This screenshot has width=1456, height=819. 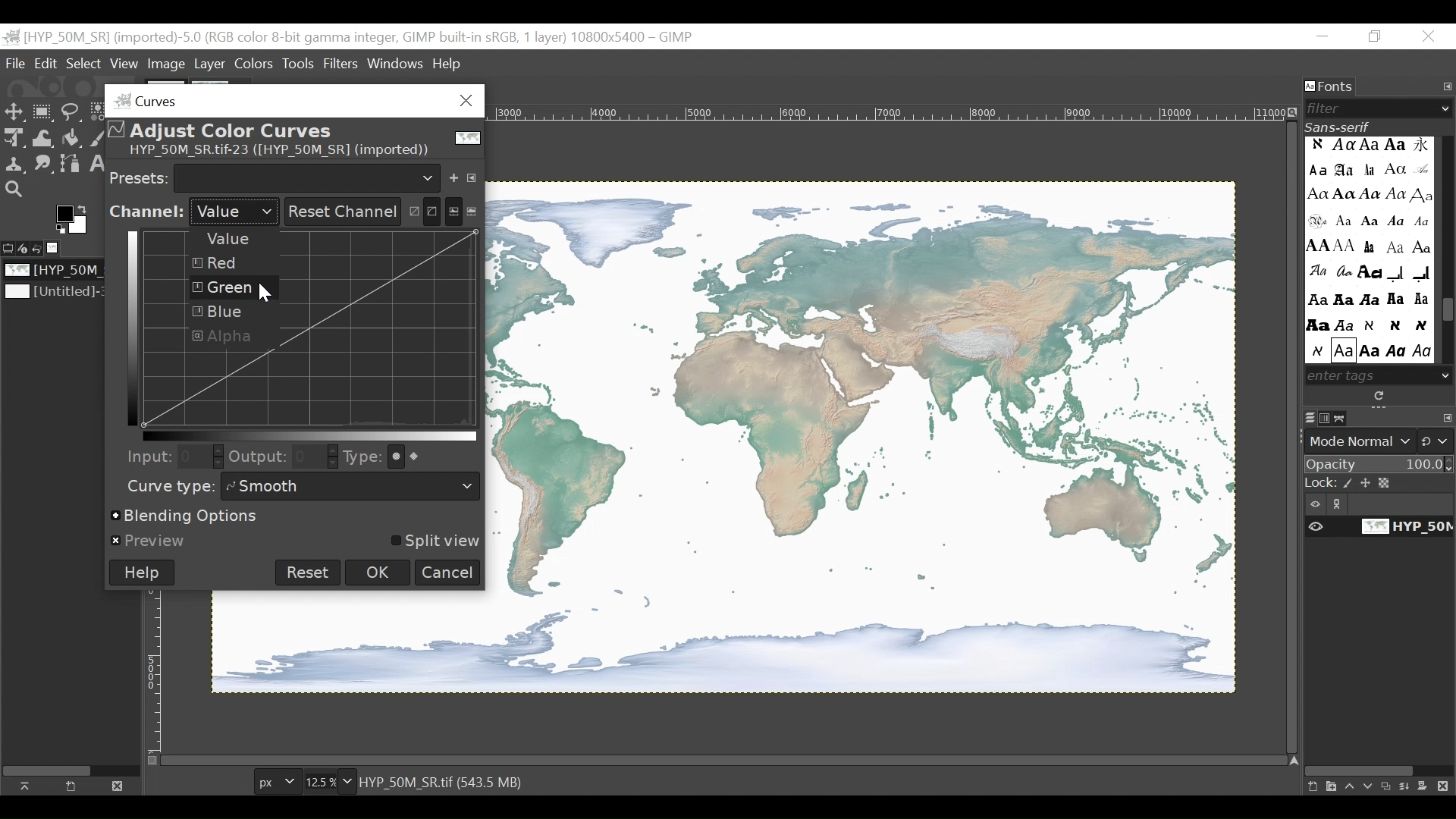 What do you see at coordinates (199, 456) in the screenshot?
I see `Field` at bounding box center [199, 456].